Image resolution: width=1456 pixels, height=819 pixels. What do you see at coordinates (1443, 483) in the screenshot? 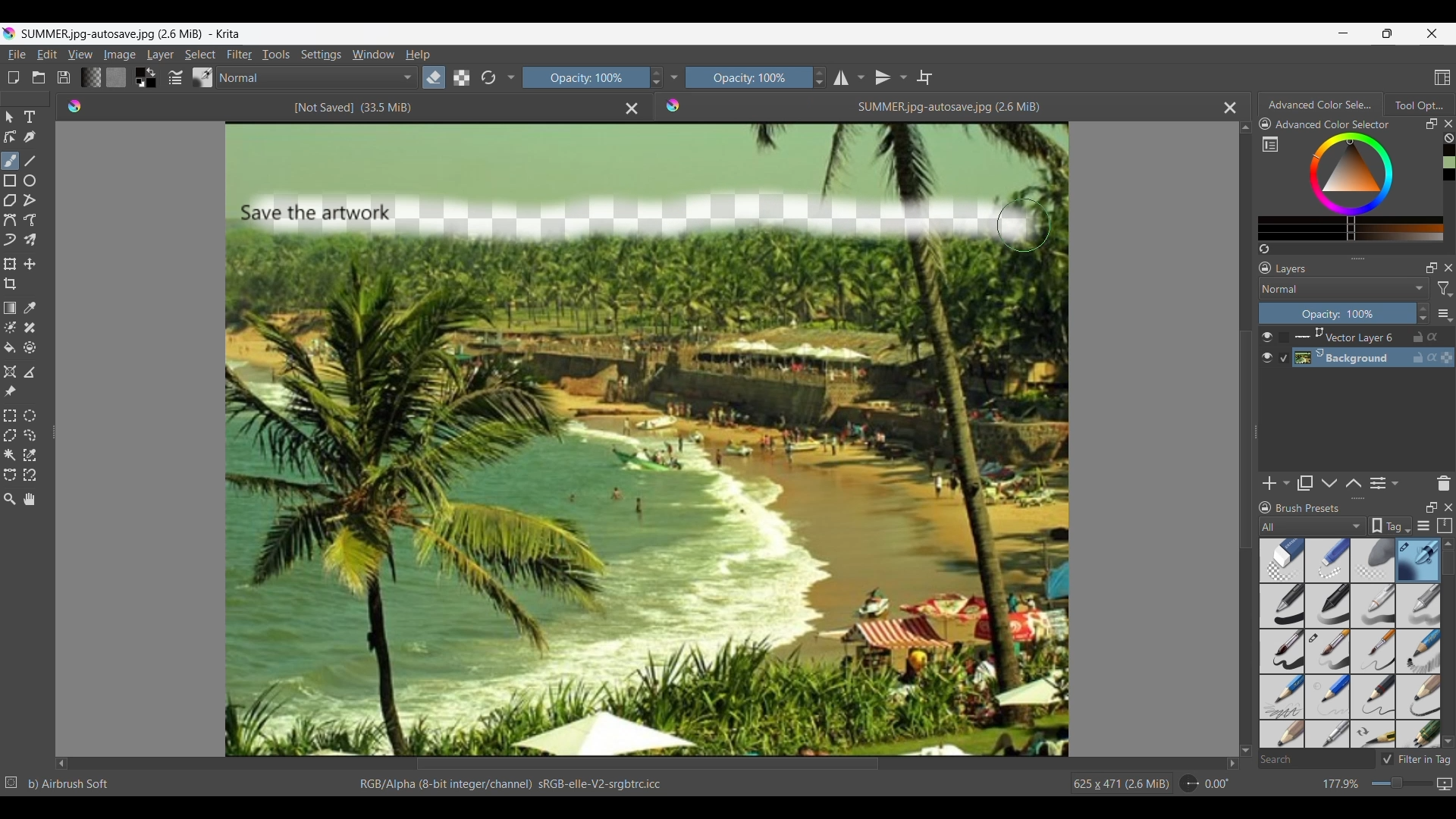
I see `Delete panel` at bounding box center [1443, 483].